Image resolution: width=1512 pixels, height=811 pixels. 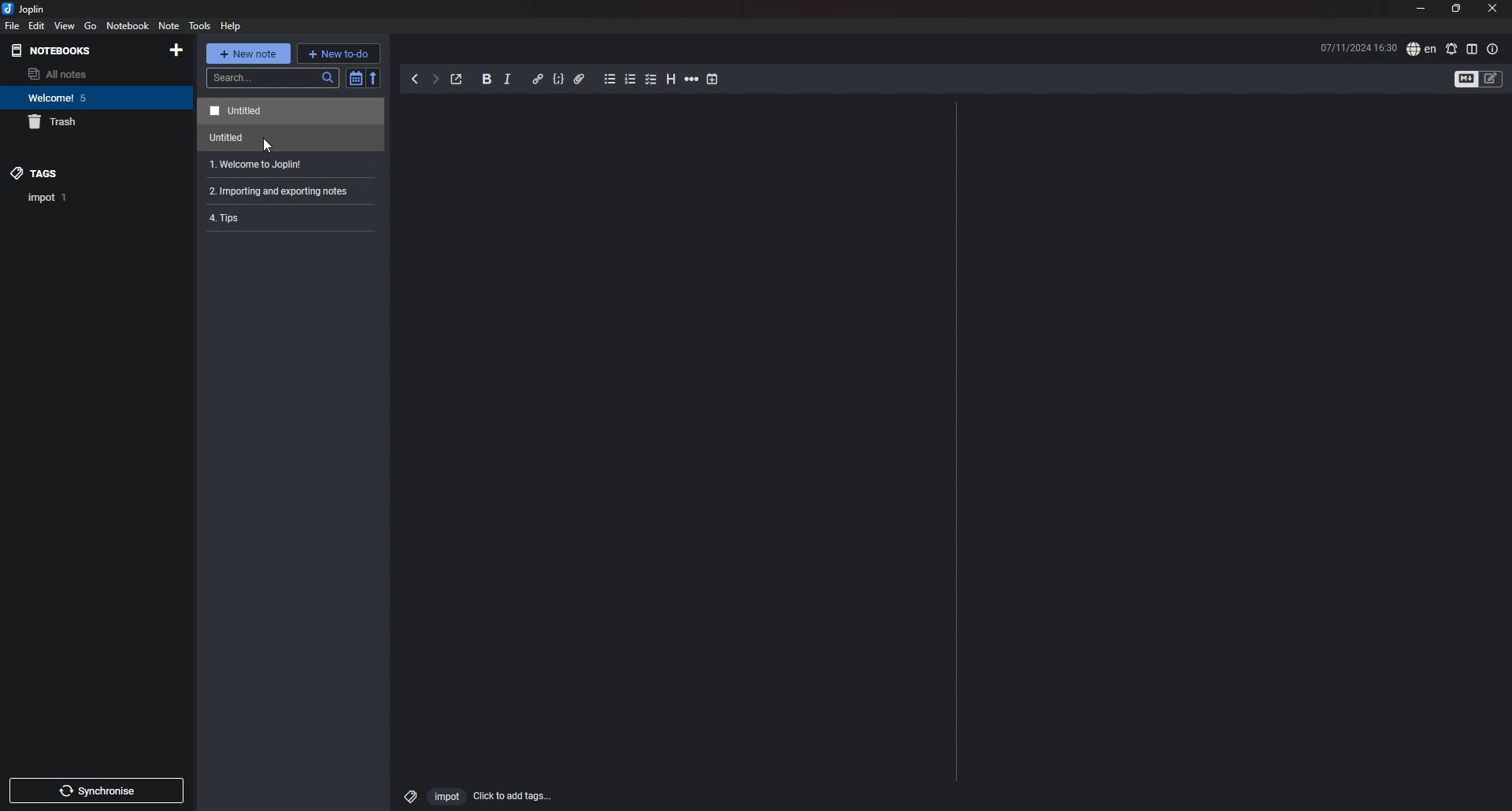 I want to click on sync, so click(x=96, y=791).